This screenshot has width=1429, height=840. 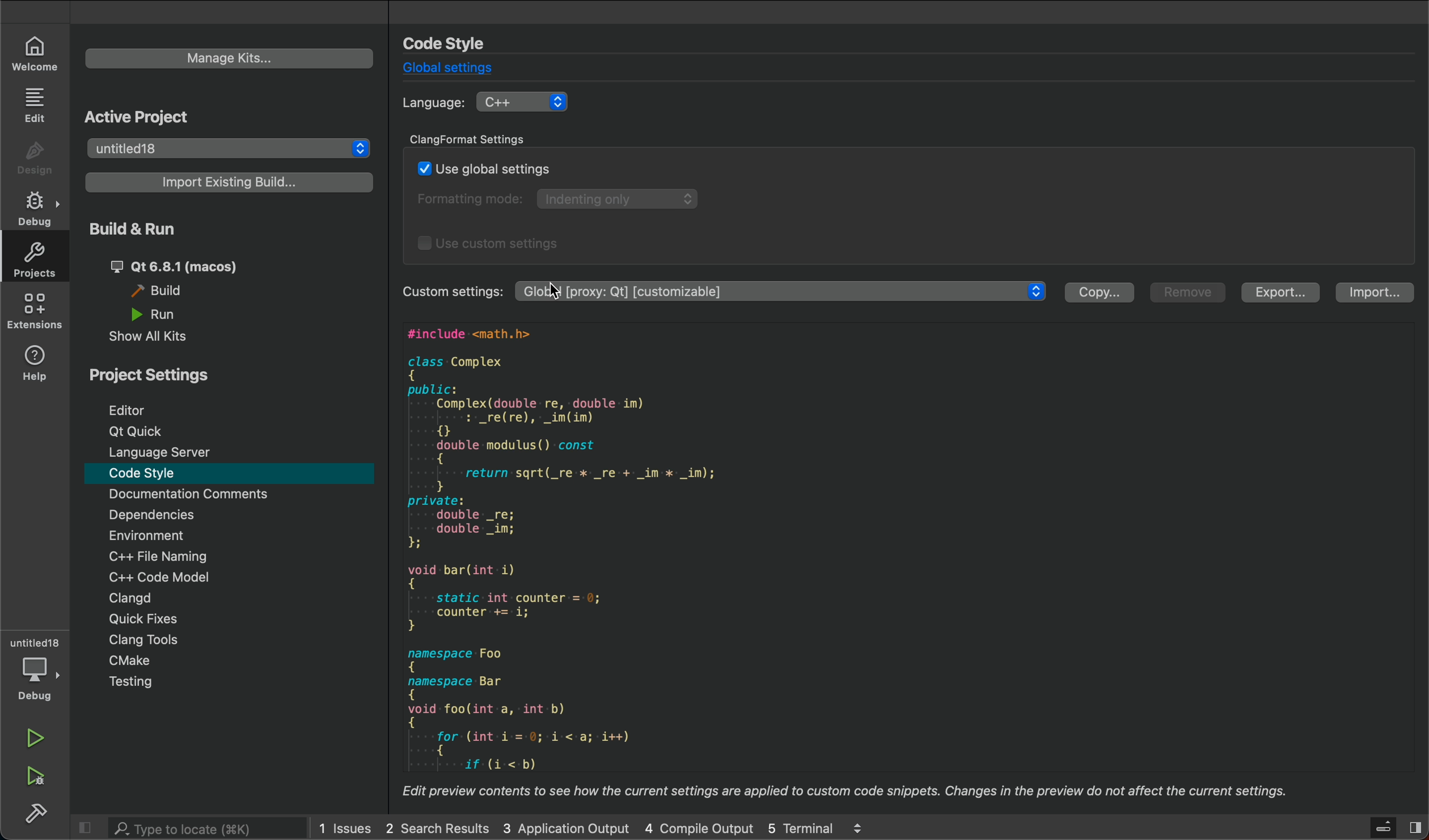 I want to click on Environment , so click(x=180, y=536).